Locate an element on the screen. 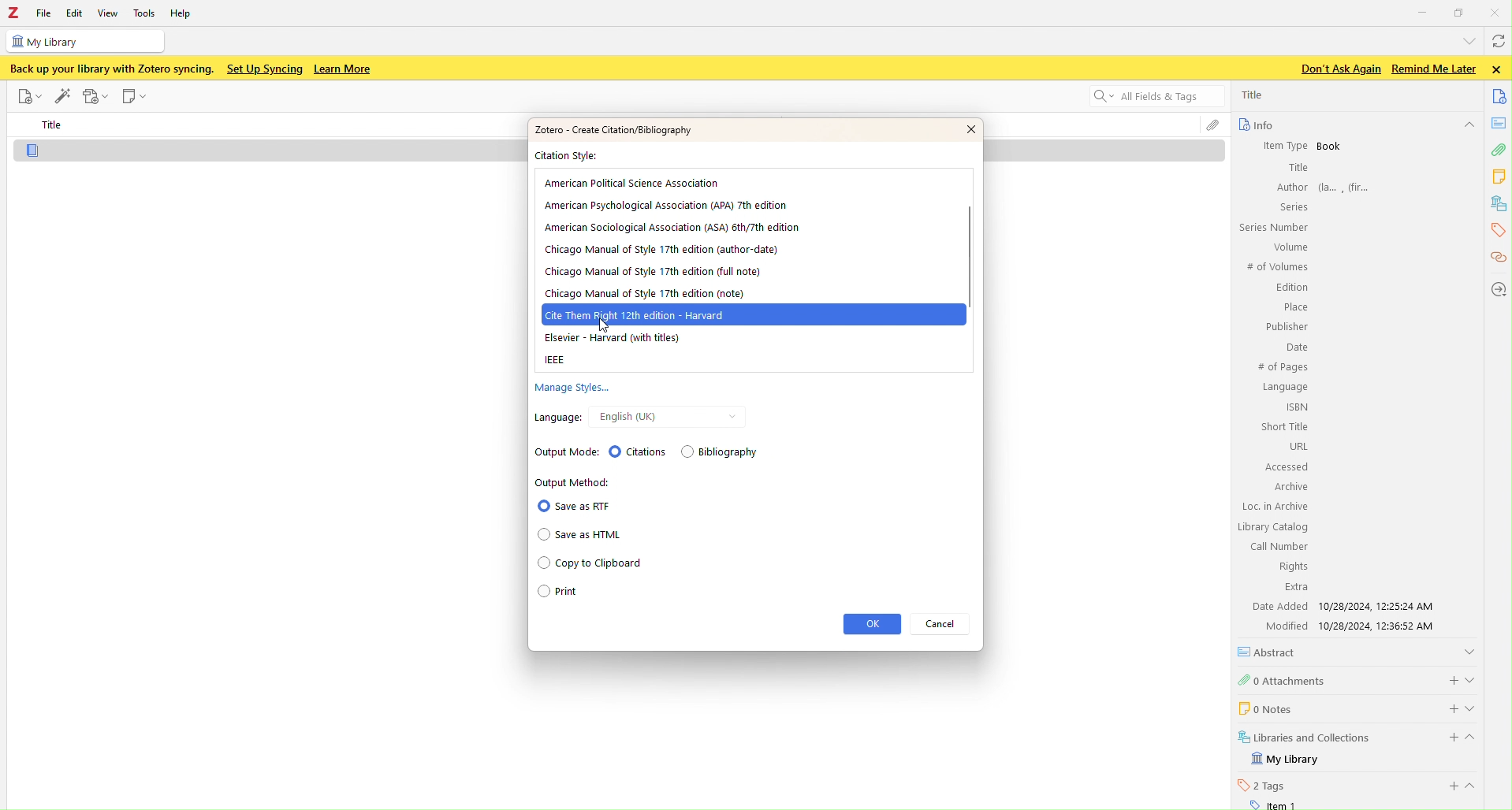  print is located at coordinates (583, 594).